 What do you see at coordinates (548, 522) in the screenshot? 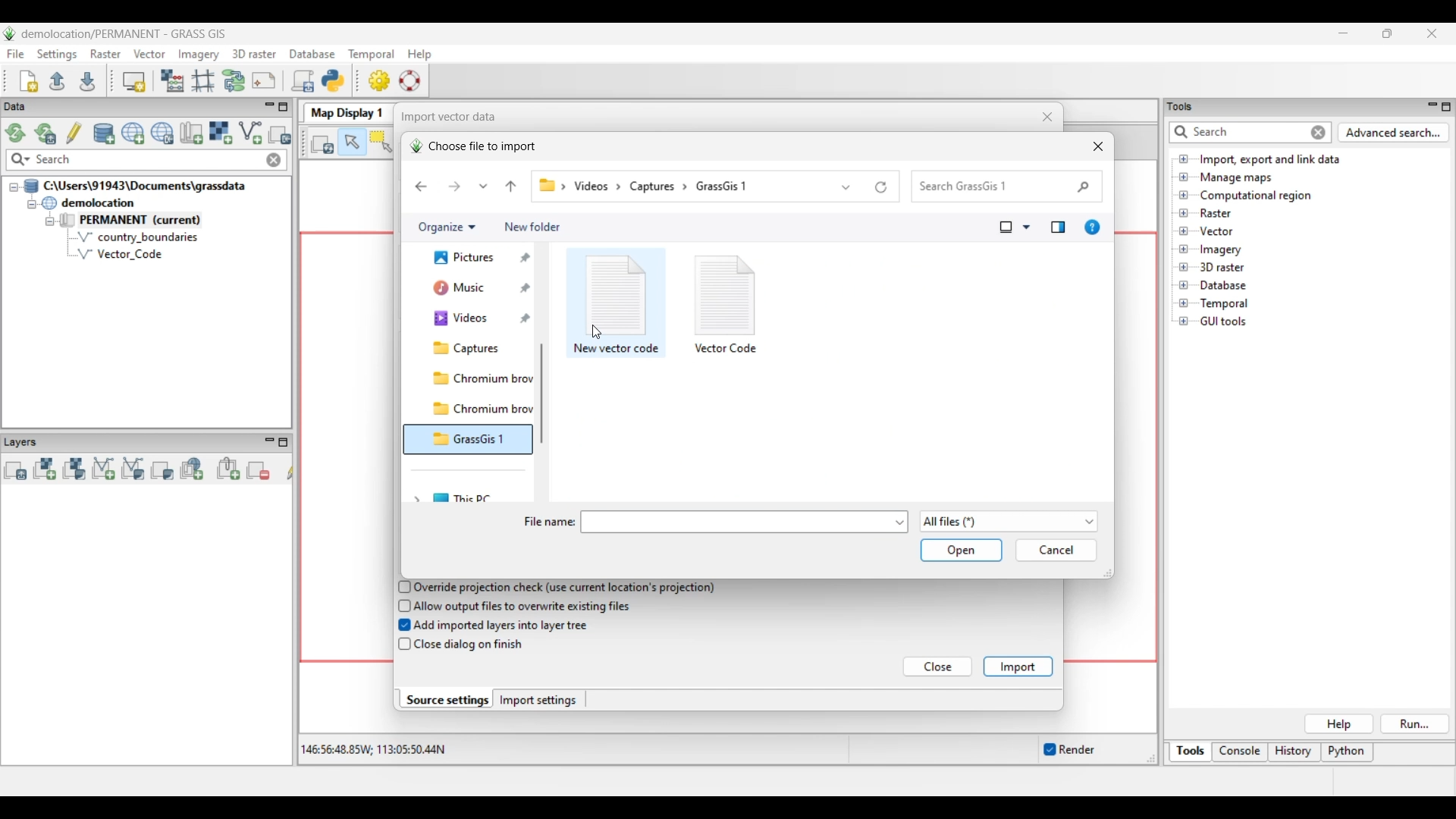
I see `File name:` at bounding box center [548, 522].